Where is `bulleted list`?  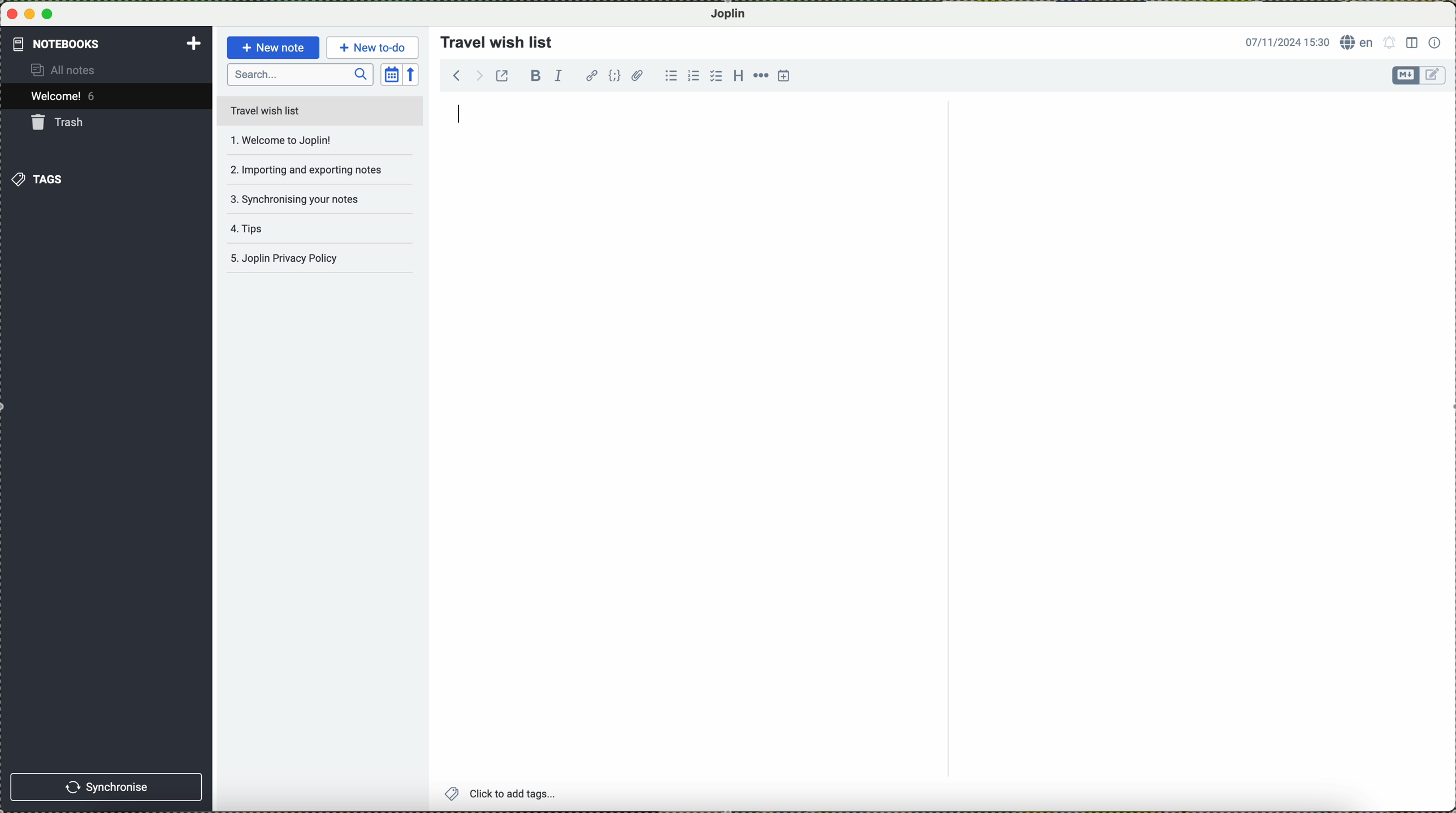
bulleted list is located at coordinates (670, 76).